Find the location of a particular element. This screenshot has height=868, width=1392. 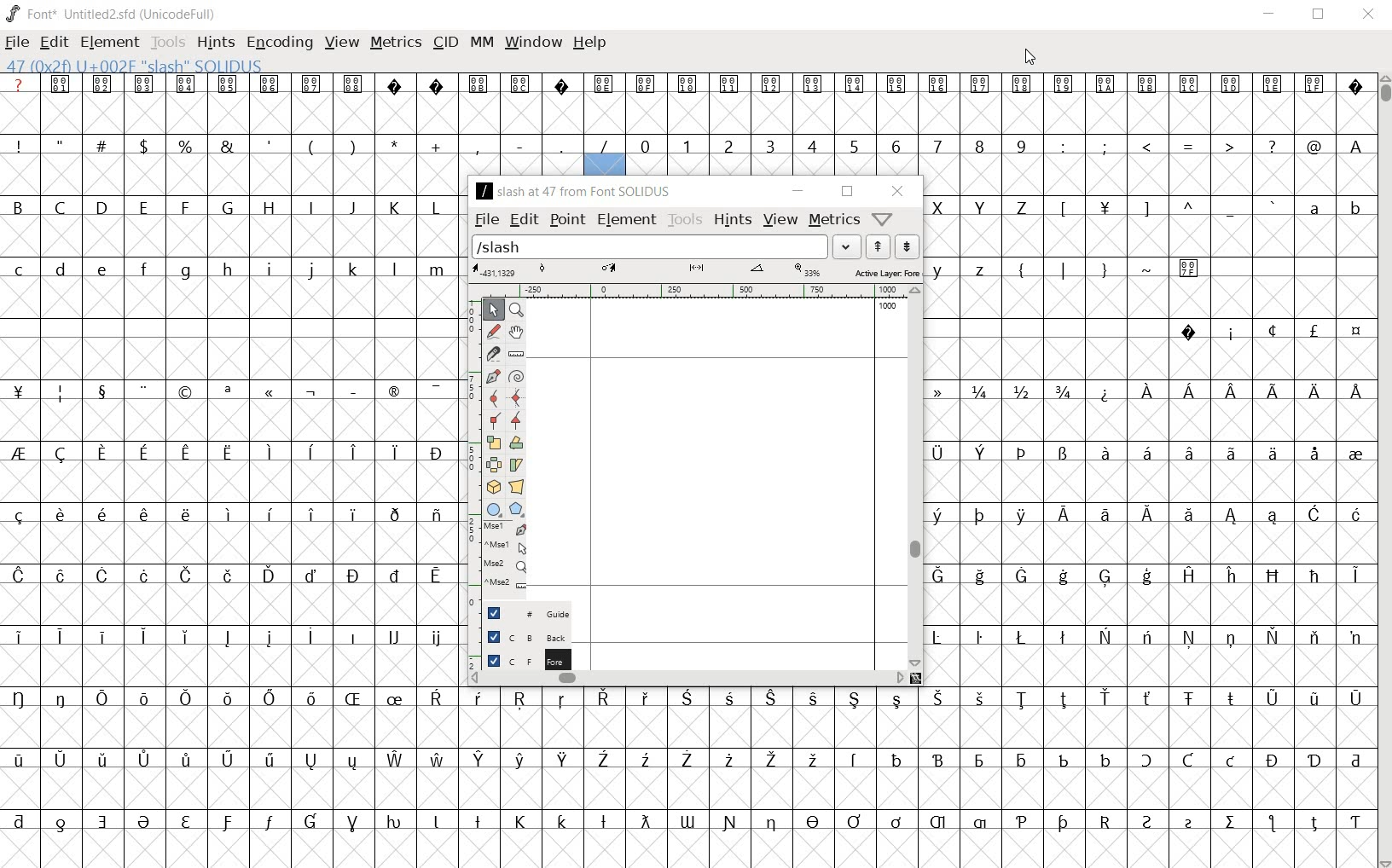

47(0*2f)U+002F "SLASH" SOLIDUS is located at coordinates (605, 165).